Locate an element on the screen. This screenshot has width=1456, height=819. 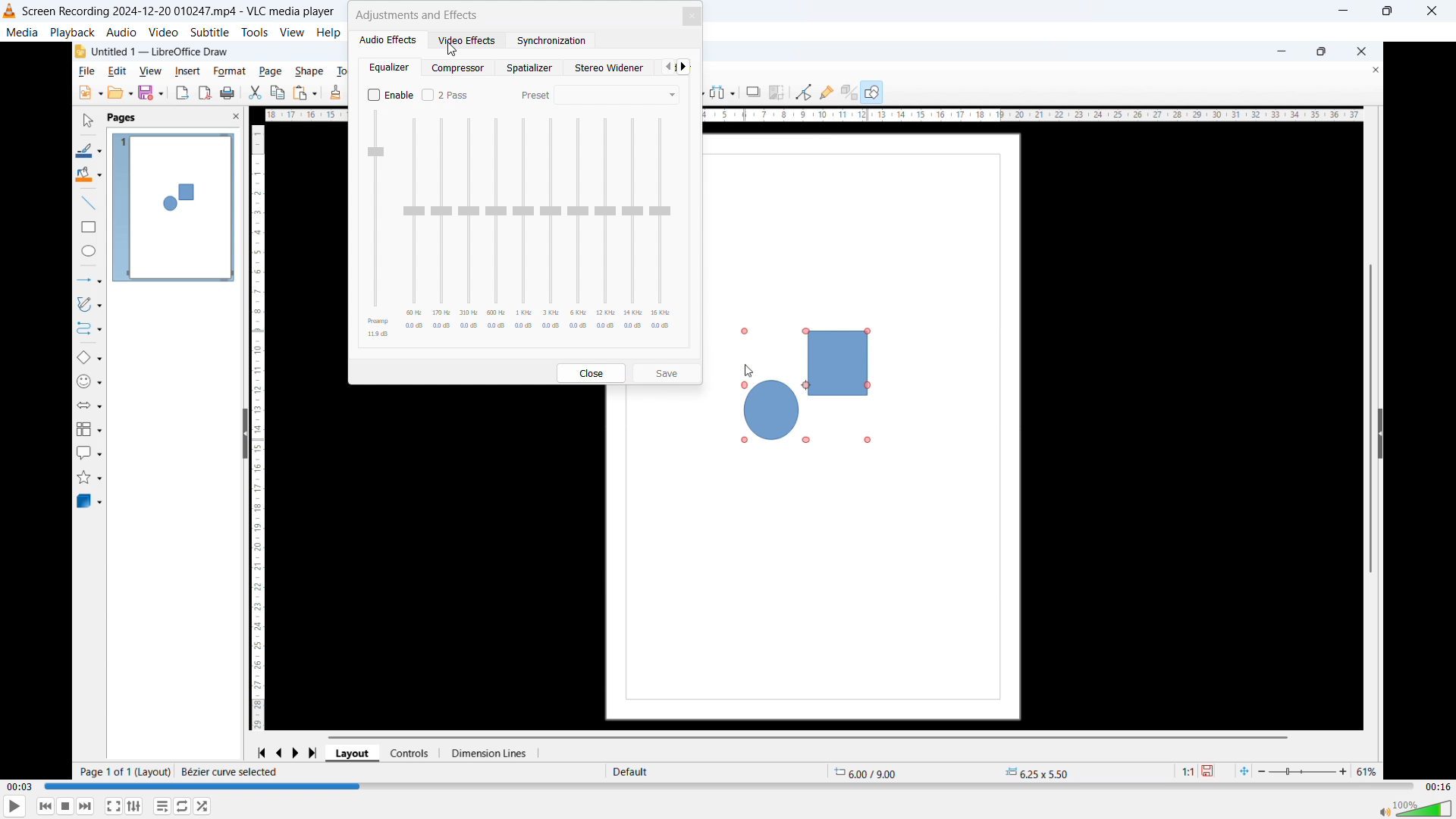
subtitle is located at coordinates (210, 31).